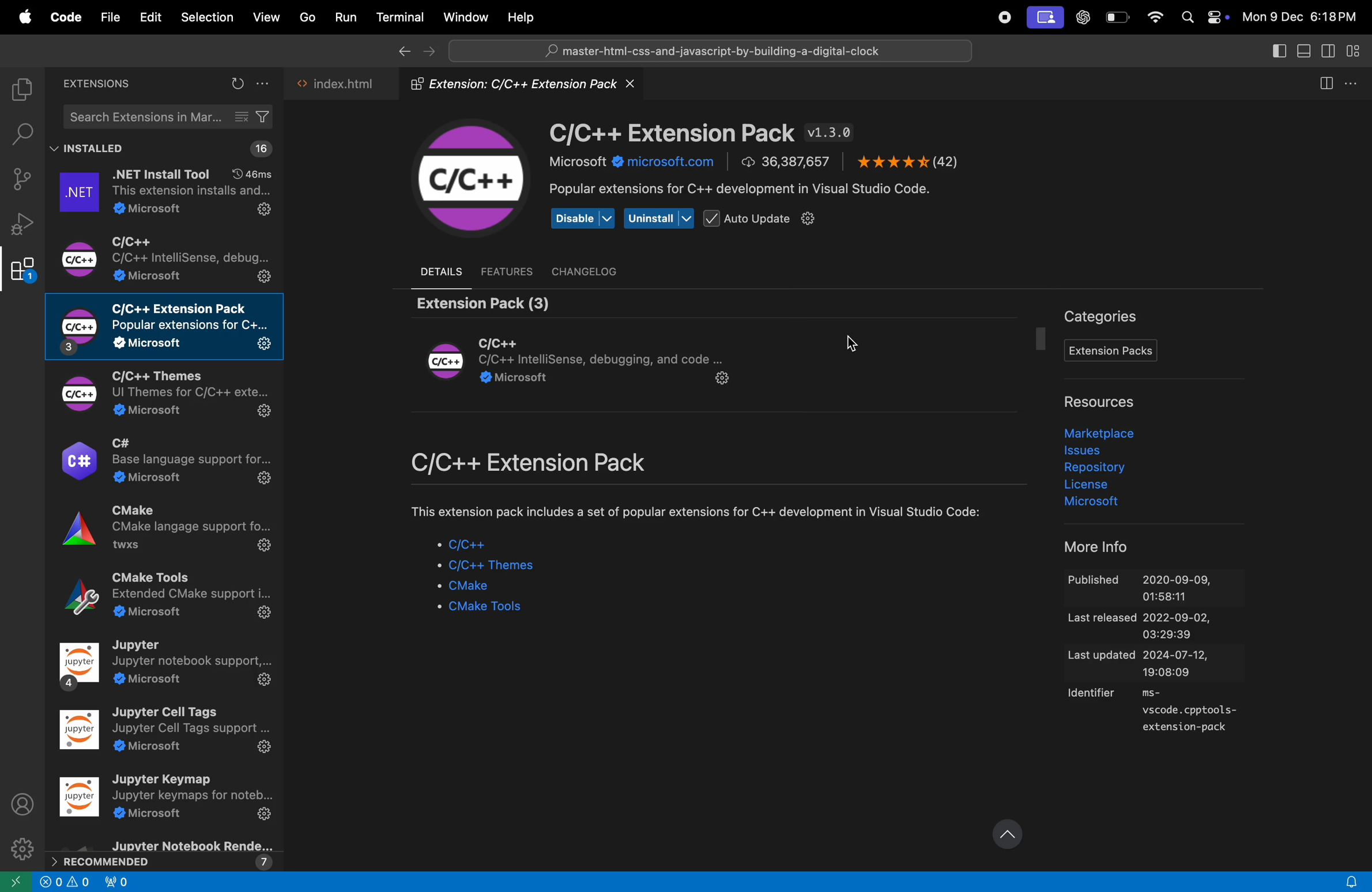 The width and height of the screenshot is (1372, 892). I want to click on Disable, so click(583, 220).